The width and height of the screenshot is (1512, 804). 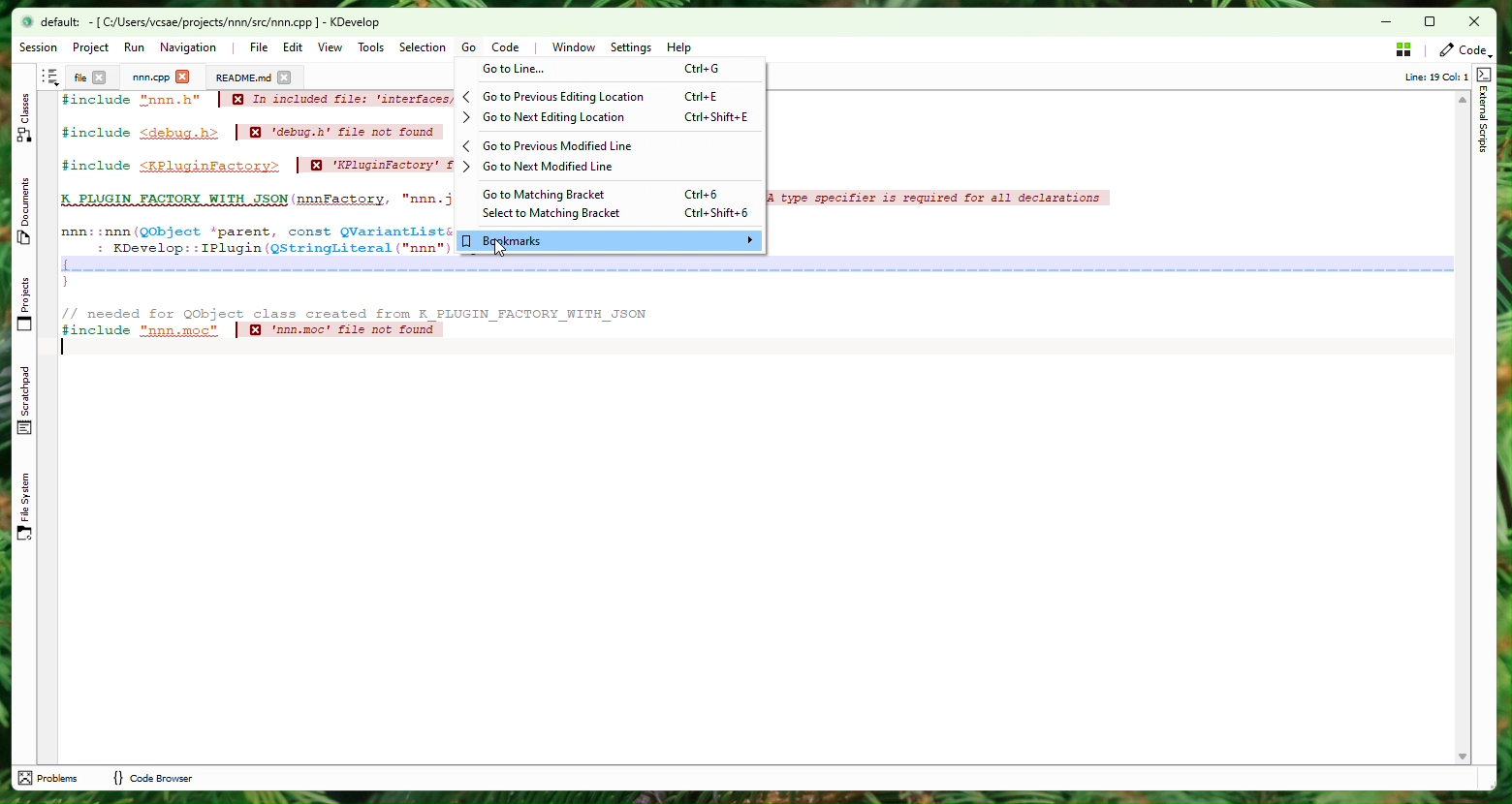 What do you see at coordinates (1403, 48) in the screenshot?
I see `Stash` at bounding box center [1403, 48].